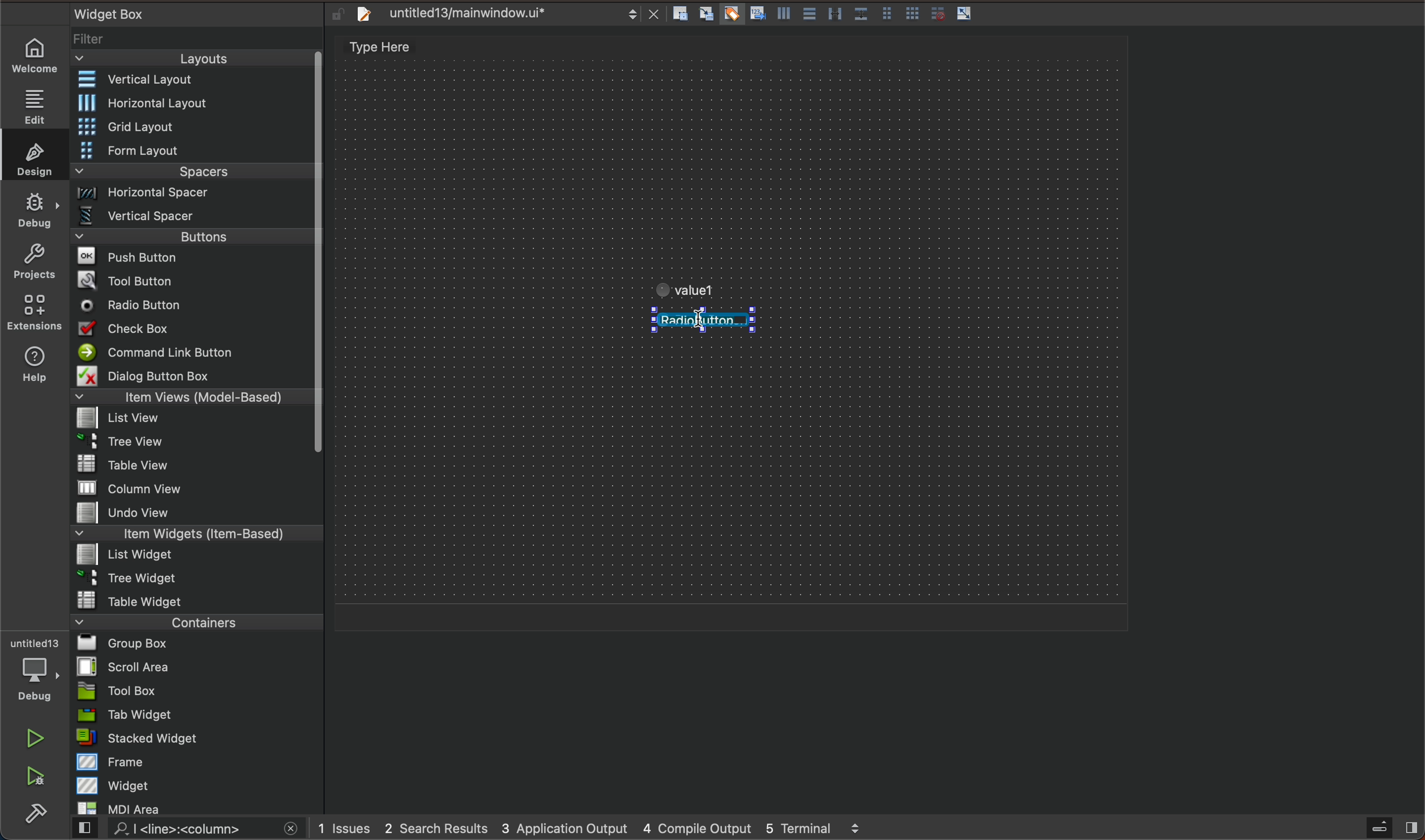 The image size is (1425, 840). What do you see at coordinates (36, 815) in the screenshot?
I see `build` at bounding box center [36, 815].